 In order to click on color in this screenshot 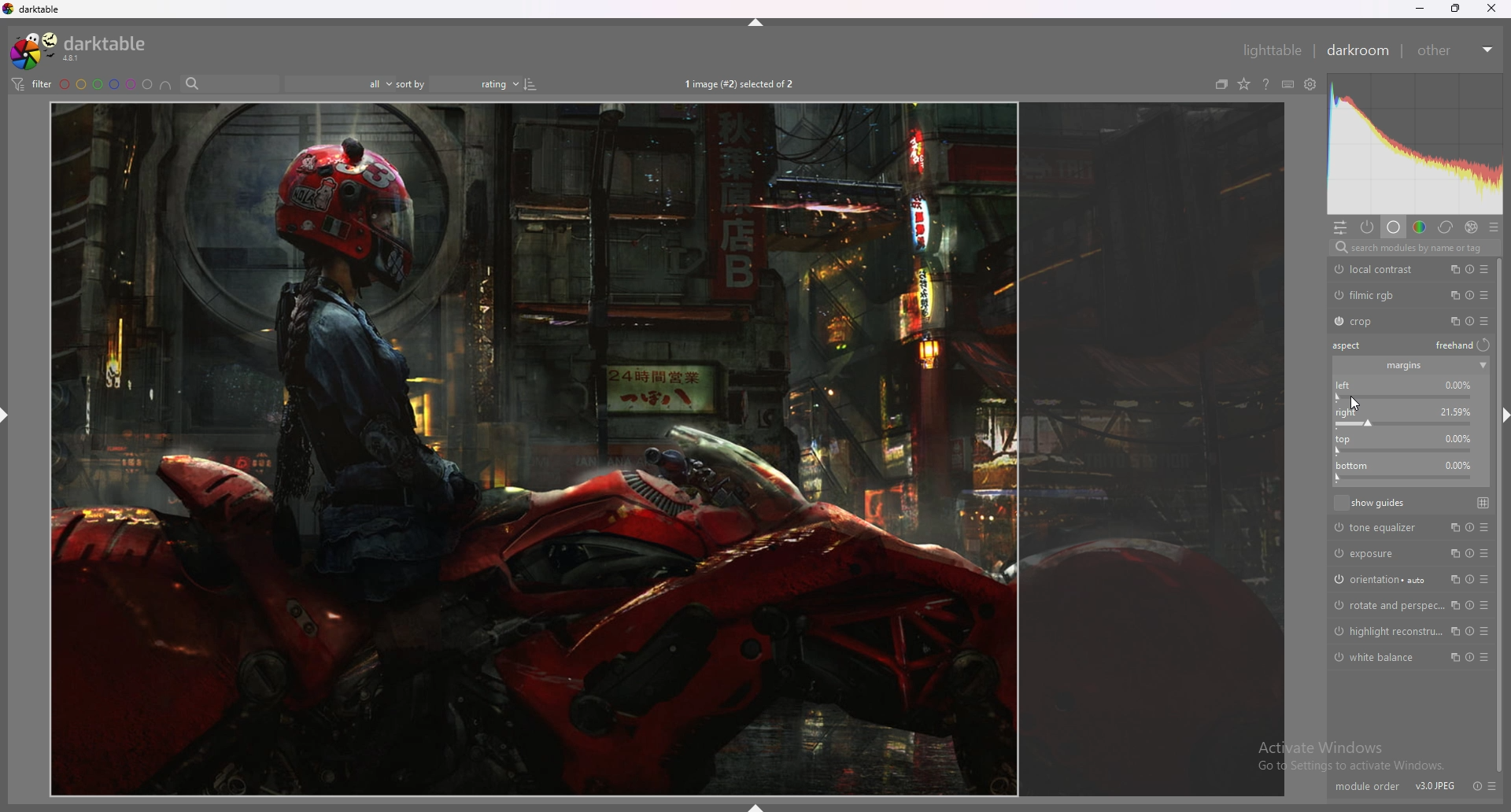, I will do `click(1420, 227)`.